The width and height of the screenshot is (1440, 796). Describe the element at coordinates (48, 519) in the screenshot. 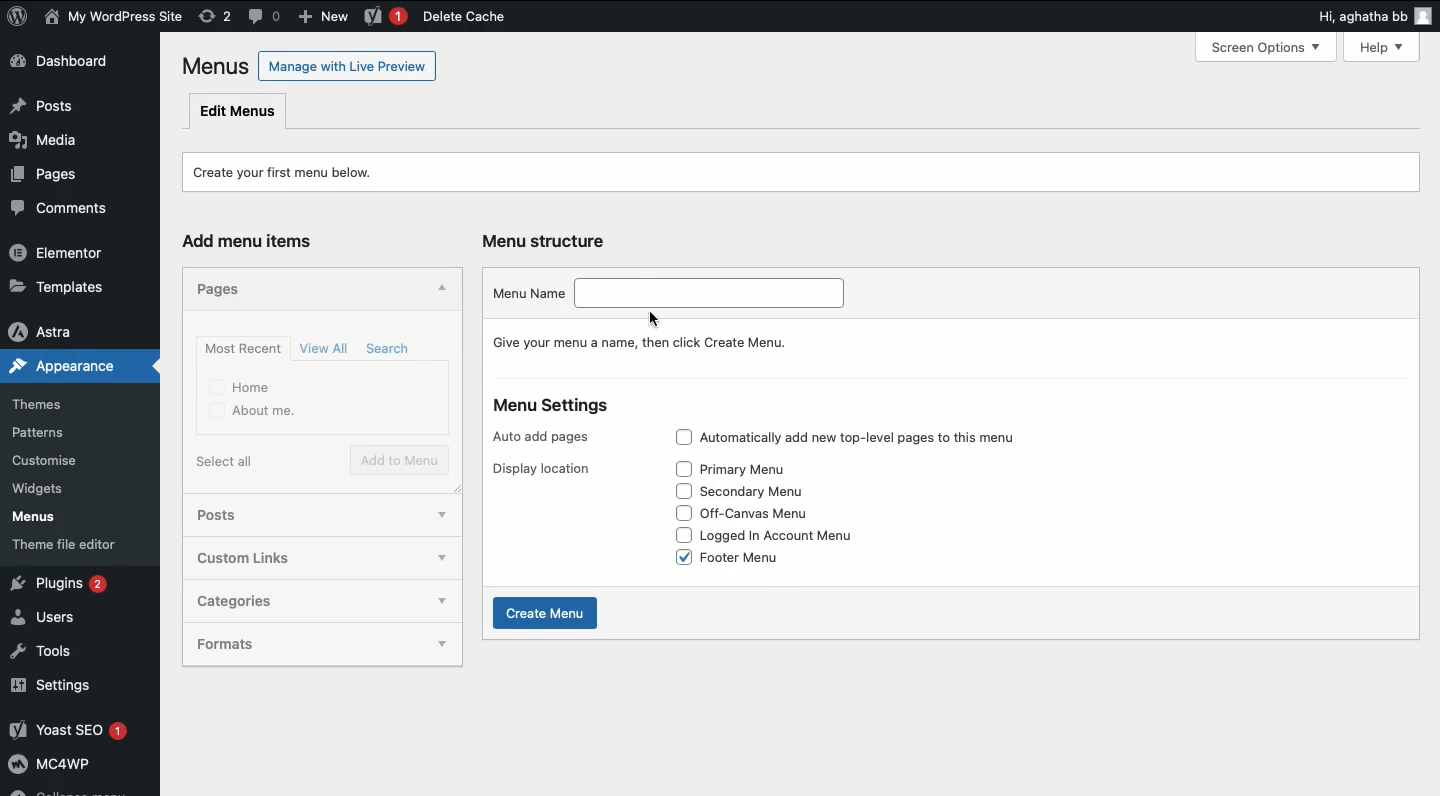

I see `Menus` at that location.